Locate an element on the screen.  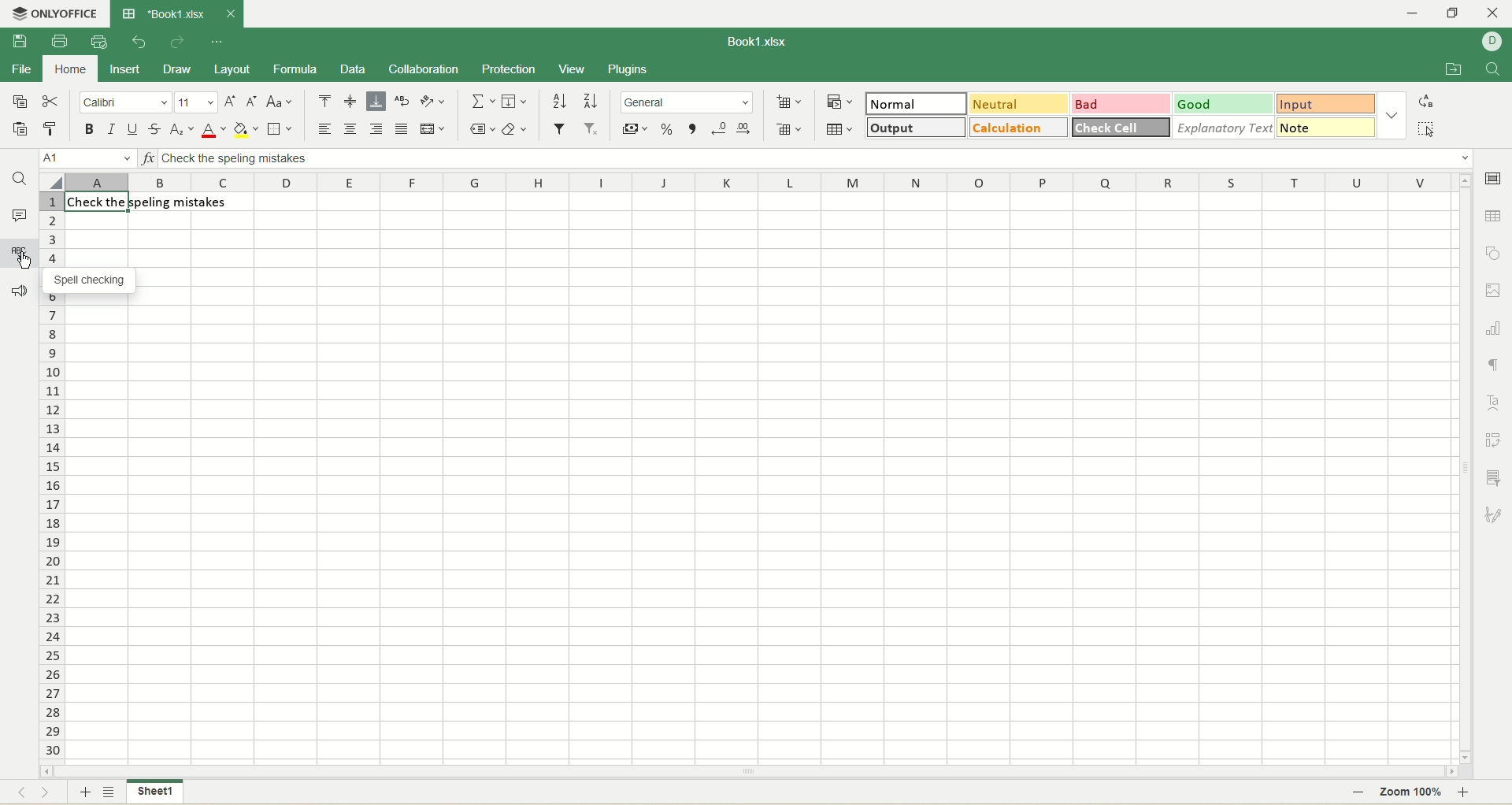
cursor is located at coordinates (25, 263).